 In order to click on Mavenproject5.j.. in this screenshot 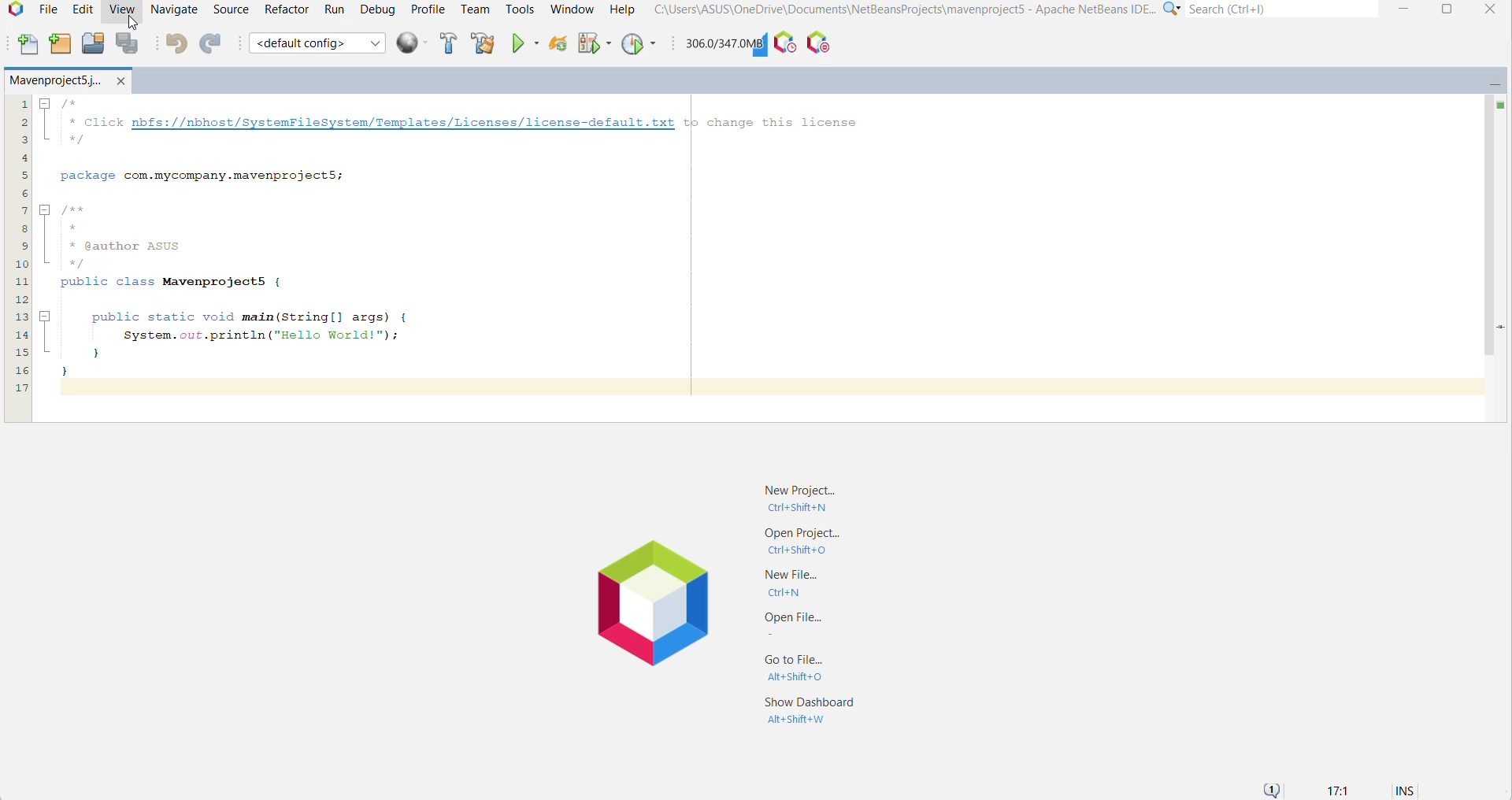, I will do `click(54, 80)`.